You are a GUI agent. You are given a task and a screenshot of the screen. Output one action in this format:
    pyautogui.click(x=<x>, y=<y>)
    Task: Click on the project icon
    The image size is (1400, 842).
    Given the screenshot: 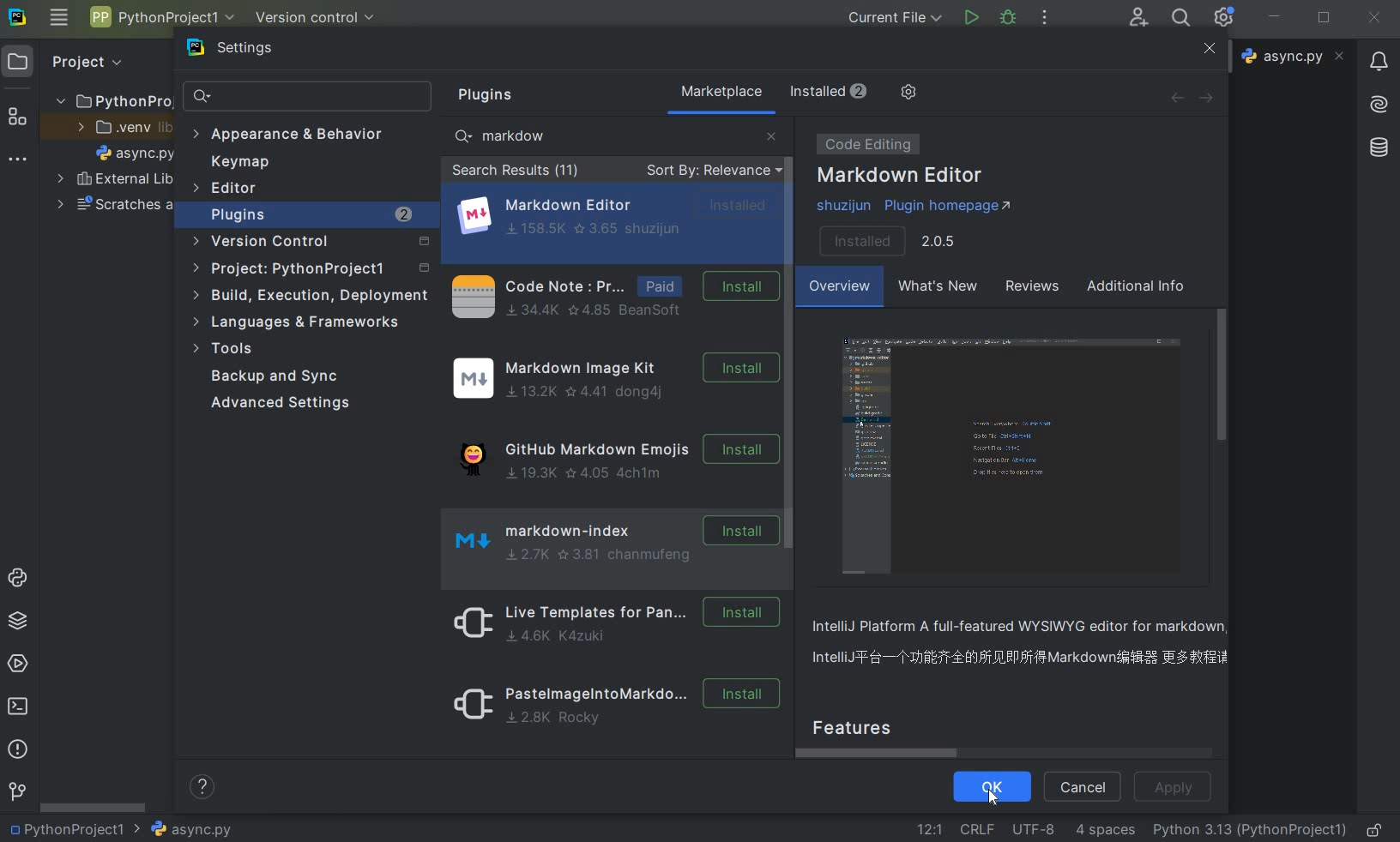 What is the action you would take?
    pyautogui.click(x=21, y=62)
    